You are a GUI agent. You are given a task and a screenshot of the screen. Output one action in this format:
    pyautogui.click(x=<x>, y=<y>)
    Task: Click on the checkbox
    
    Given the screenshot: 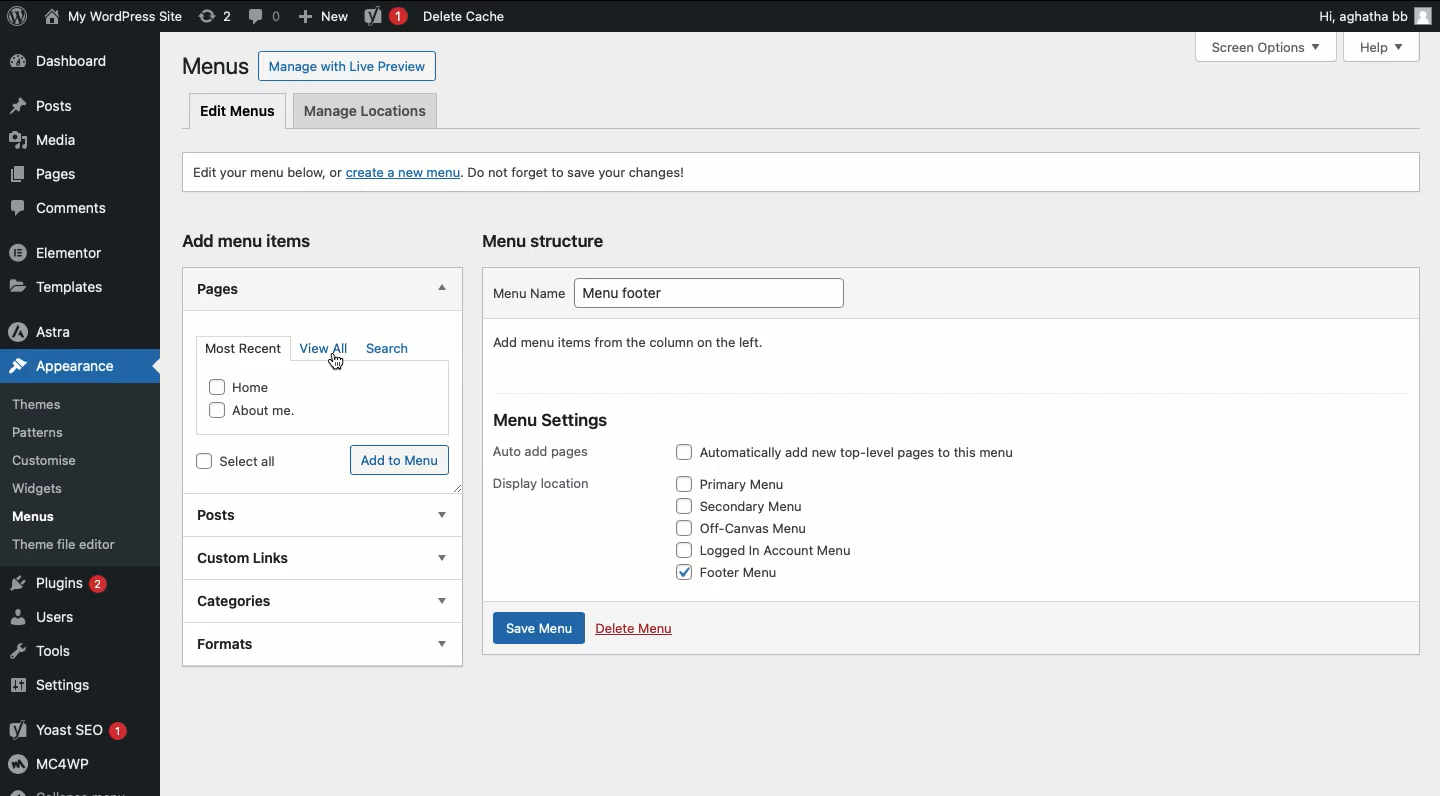 What is the action you would take?
    pyautogui.click(x=205, y=460)
    